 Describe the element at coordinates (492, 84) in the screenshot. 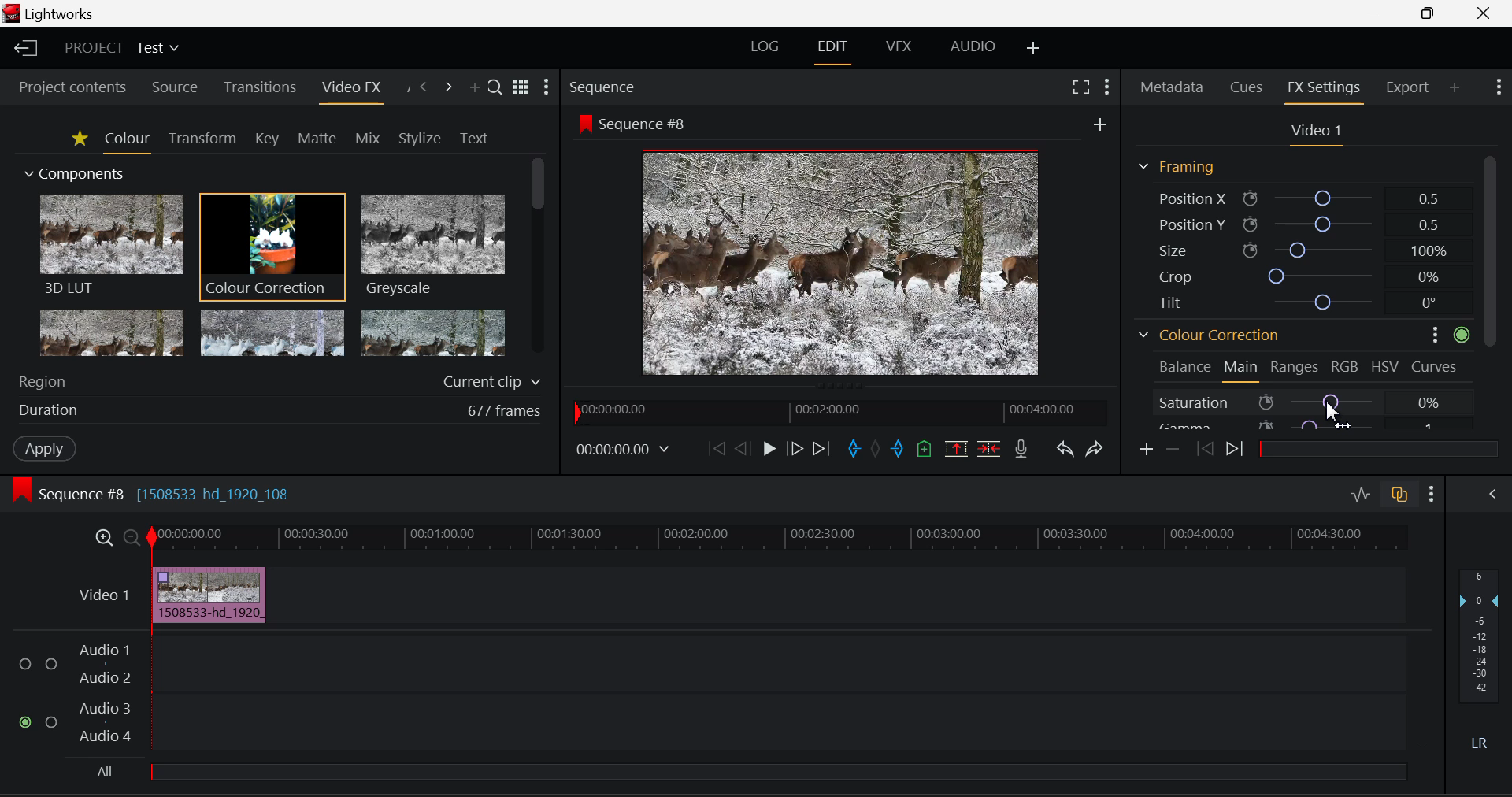

I see `Search` at that location.